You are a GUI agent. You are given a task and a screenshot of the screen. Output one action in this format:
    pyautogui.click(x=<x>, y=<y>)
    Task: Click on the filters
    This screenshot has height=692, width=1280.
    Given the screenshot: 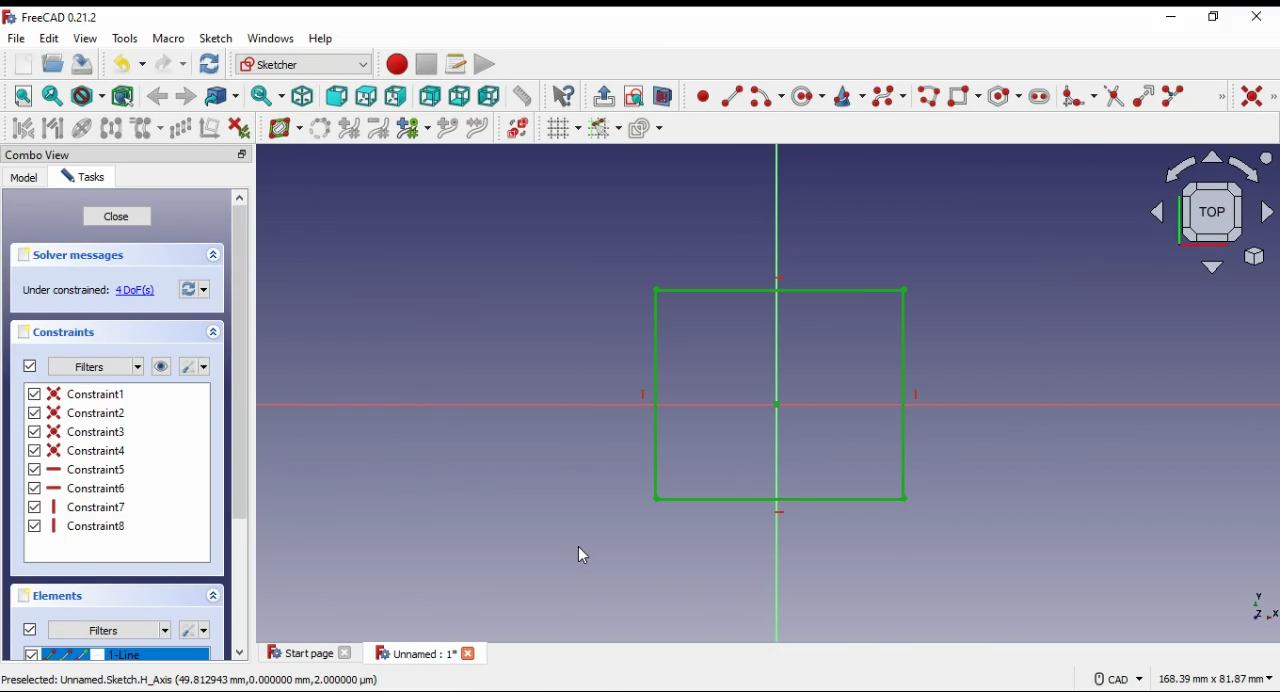 What is the action you would take?
    pyautogui.click(x=109, y=630)
    